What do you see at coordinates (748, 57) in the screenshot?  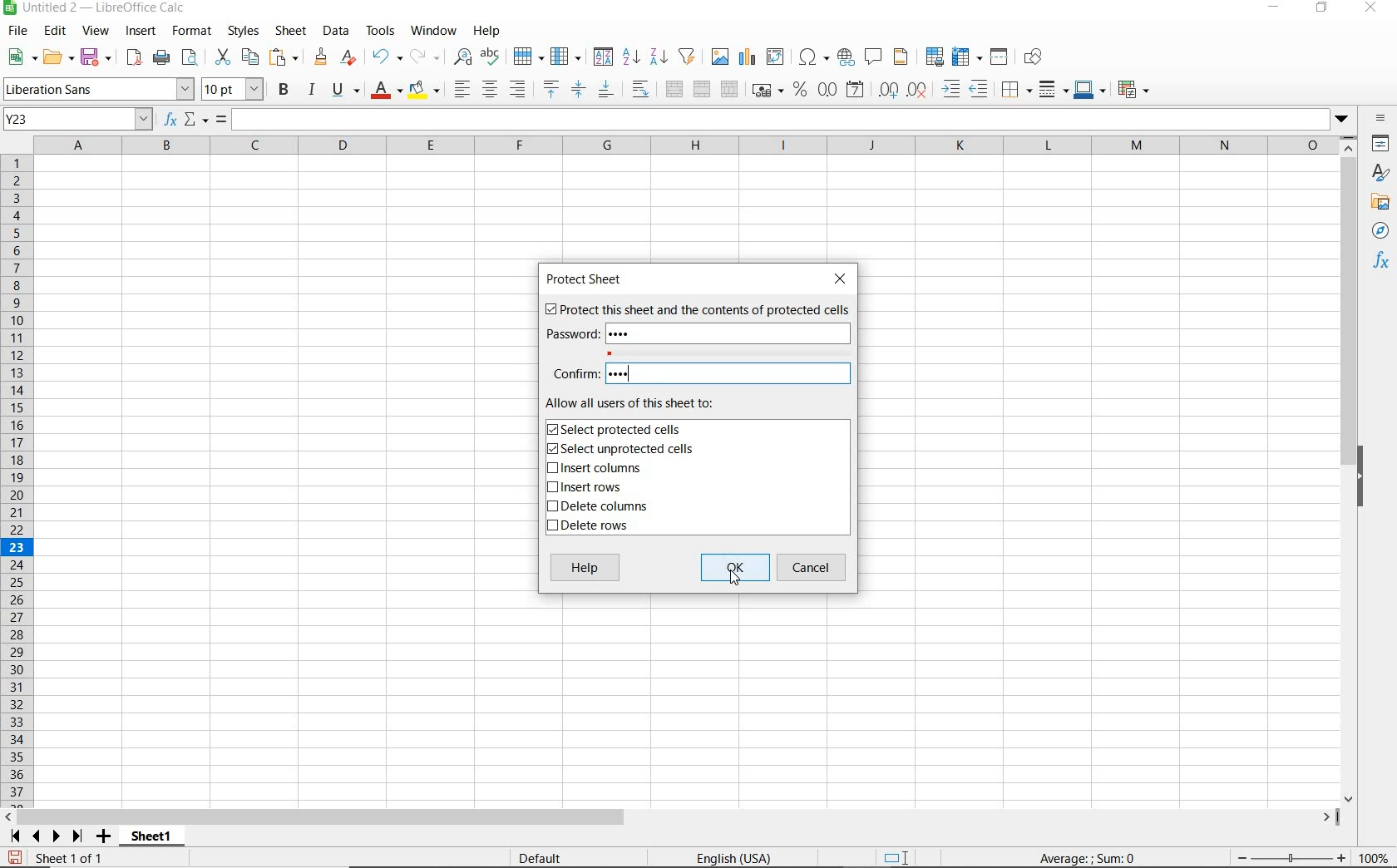 I see `INSERT CHART` at bounding box center [748, 57].